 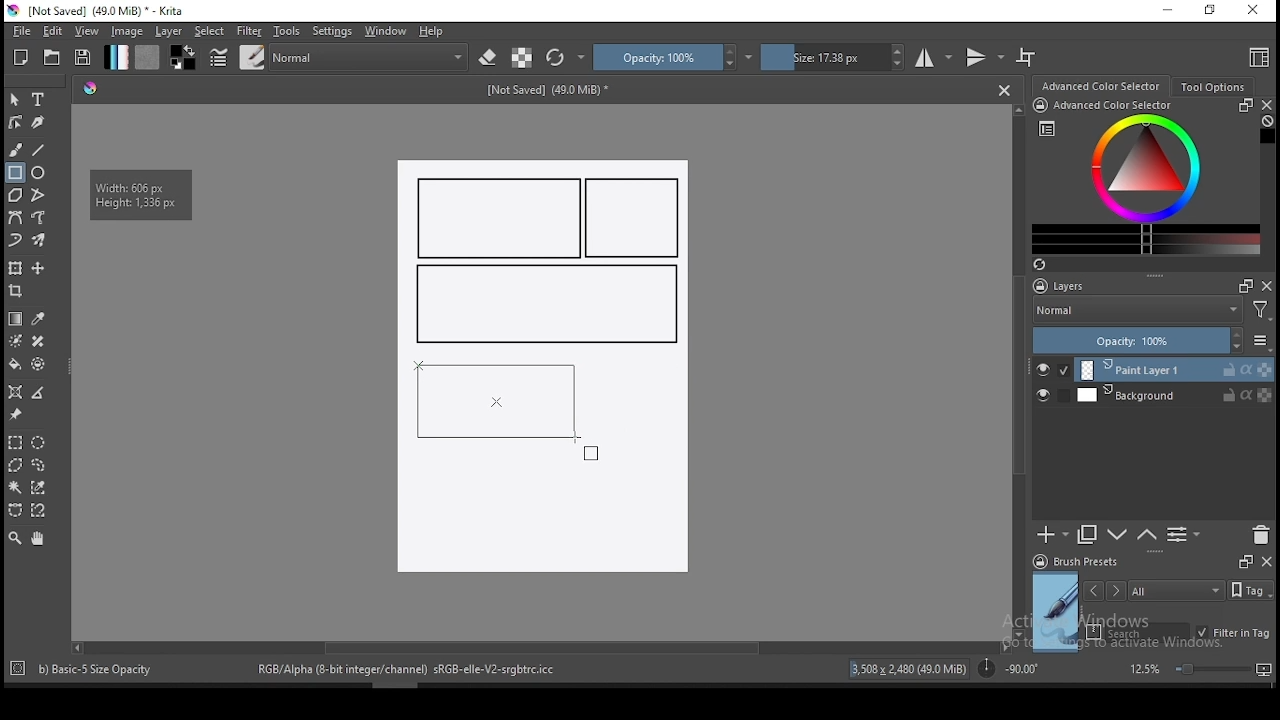 What do you see at coordinates (1214, 87) in the screenshot?
I see `tool options` at bounding box center [1214, 87].